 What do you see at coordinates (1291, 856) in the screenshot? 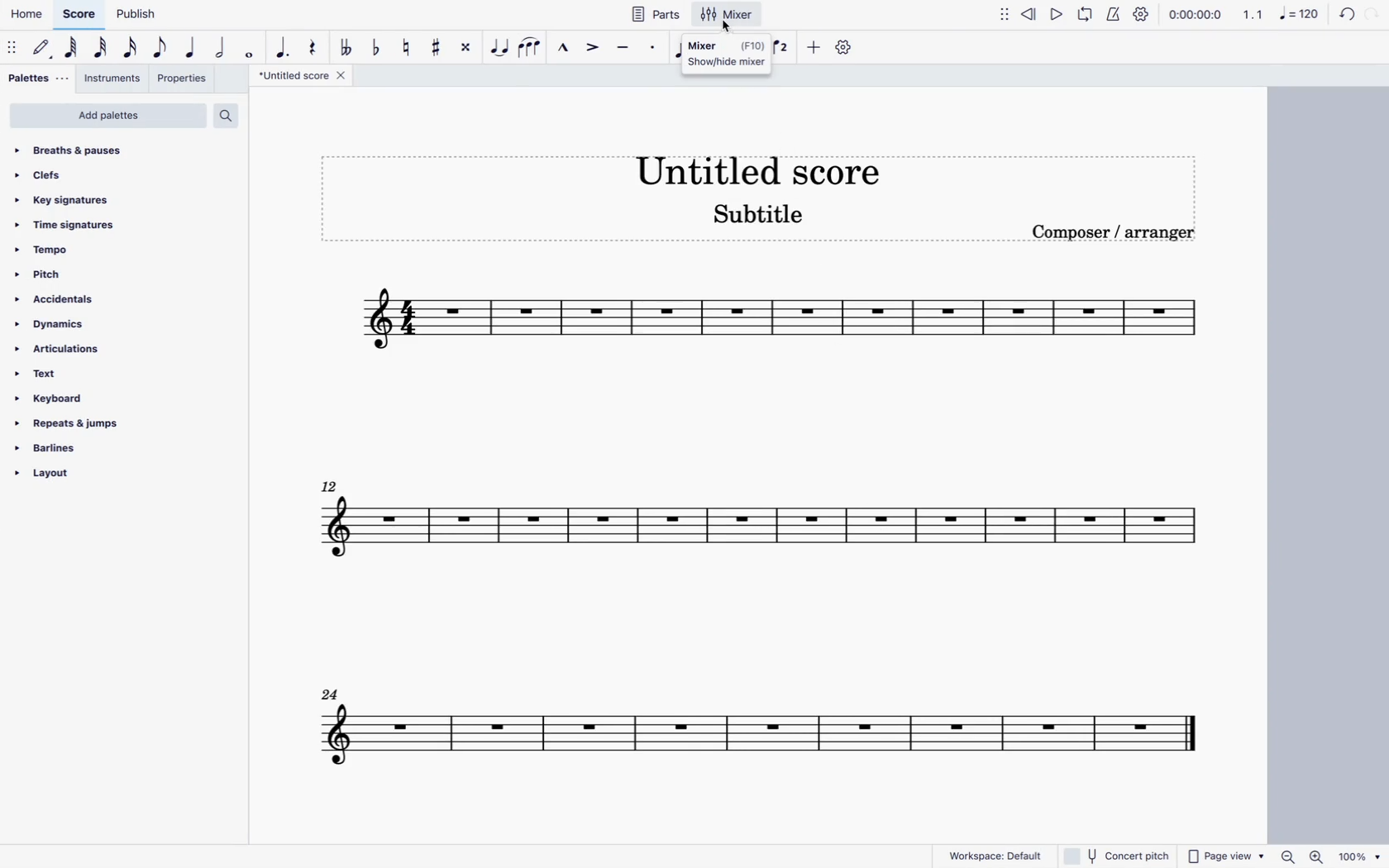
I see `zoom out` at bounding box center [1291, 856].